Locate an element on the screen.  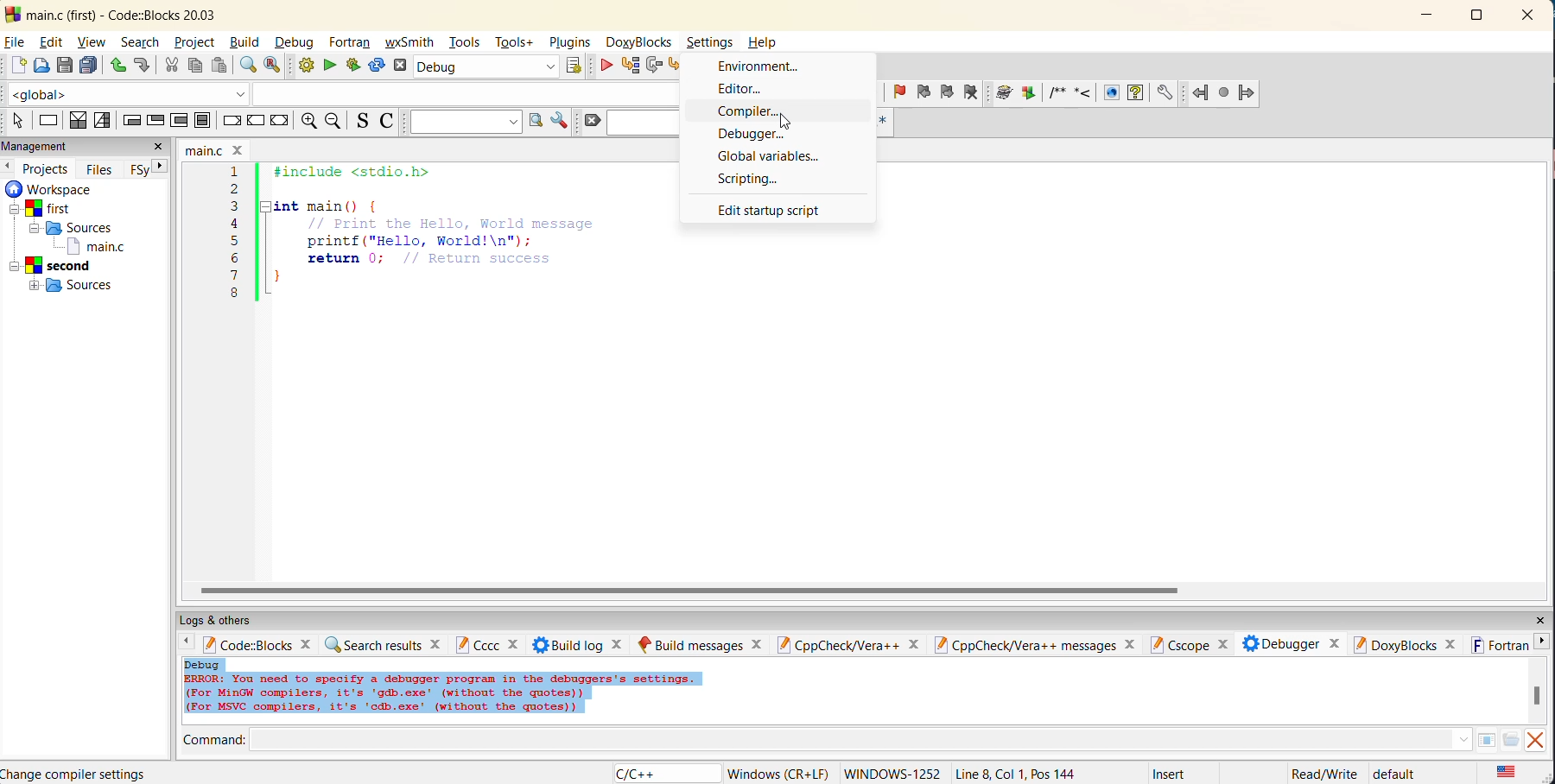
new is located at coordinates (15, 66).